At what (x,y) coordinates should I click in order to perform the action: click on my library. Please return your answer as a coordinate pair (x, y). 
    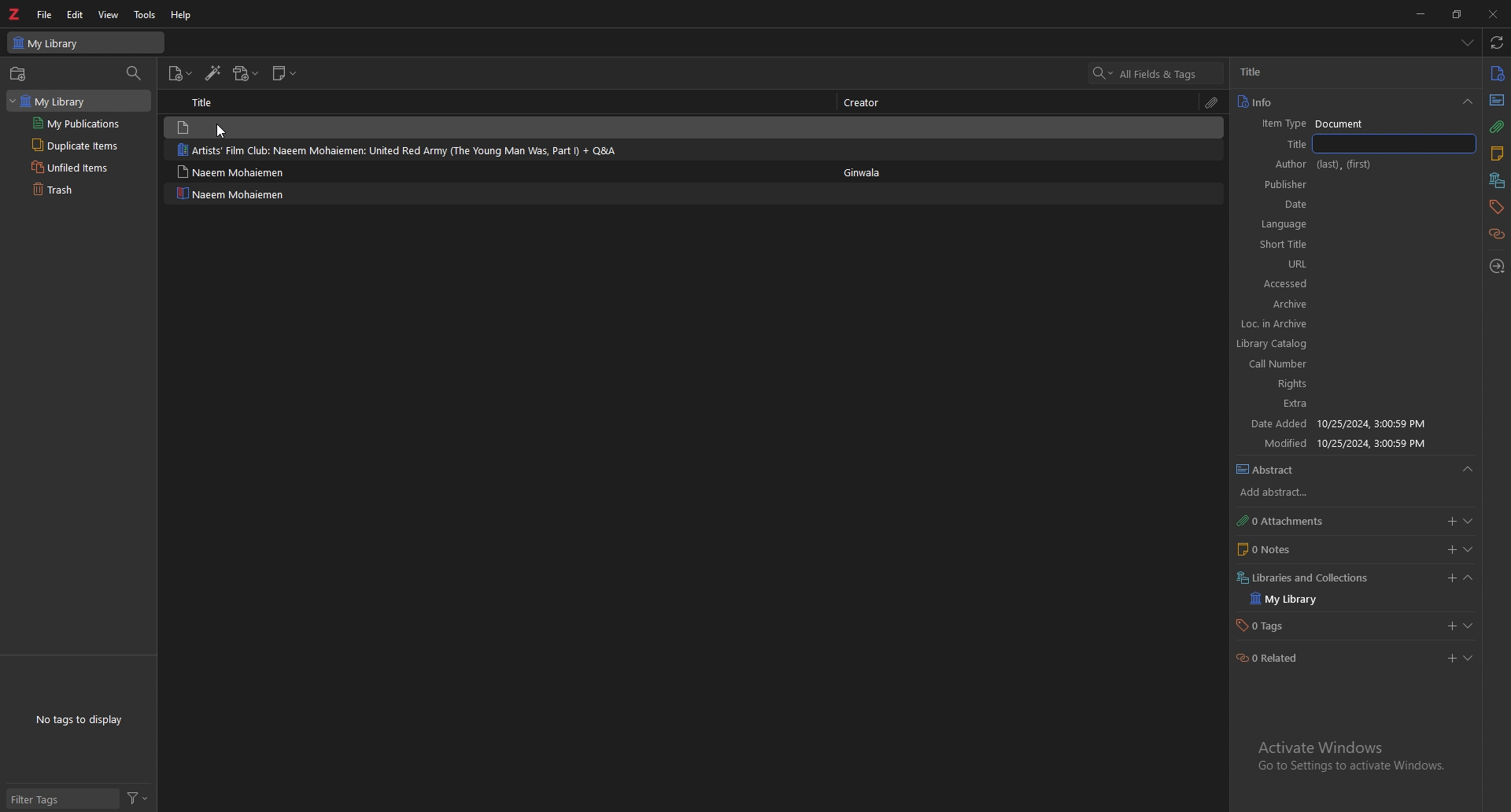
    Looking at the image, I should click on (86, 42).